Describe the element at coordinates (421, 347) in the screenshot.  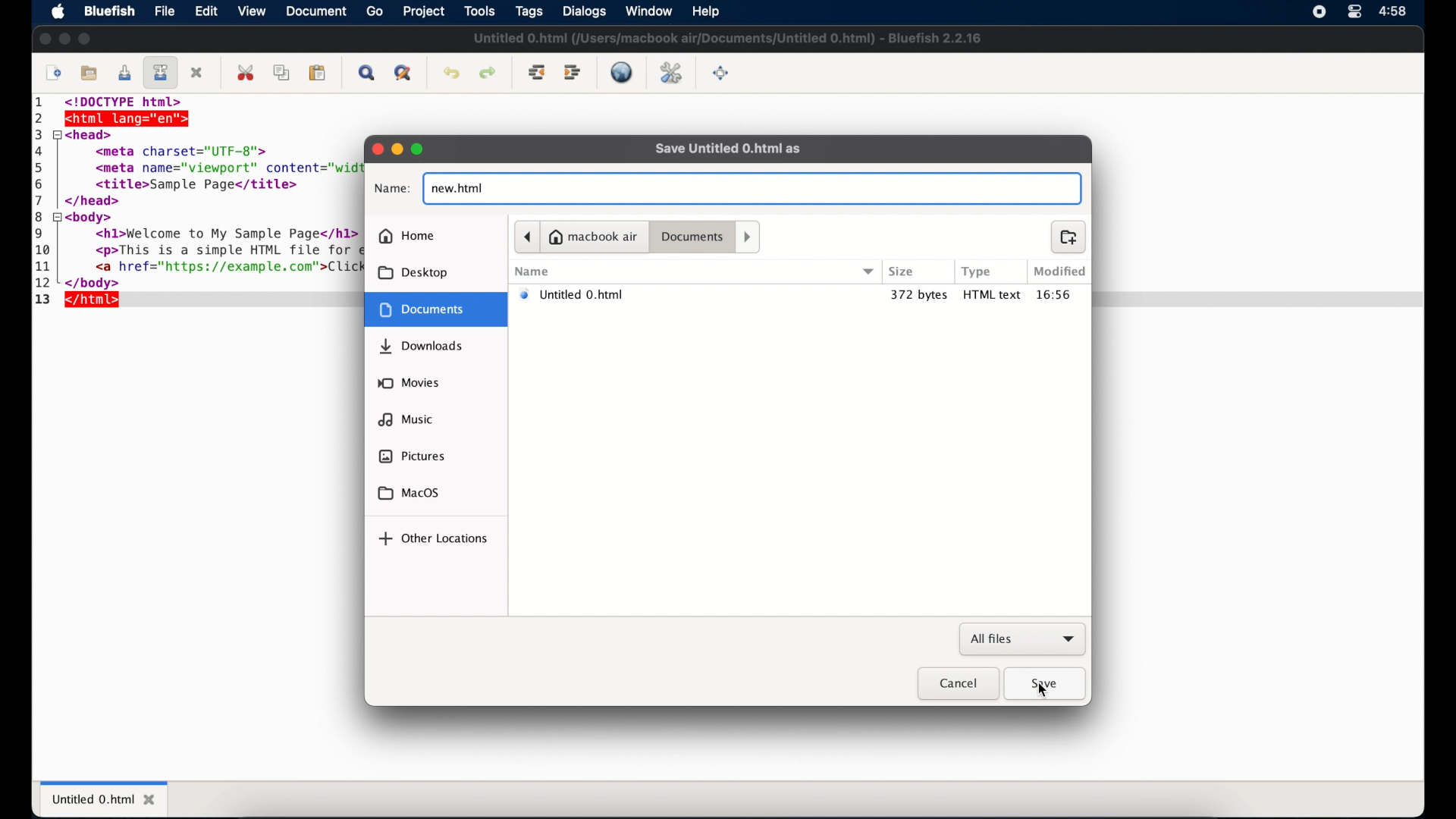
I see `downloads` at that location.